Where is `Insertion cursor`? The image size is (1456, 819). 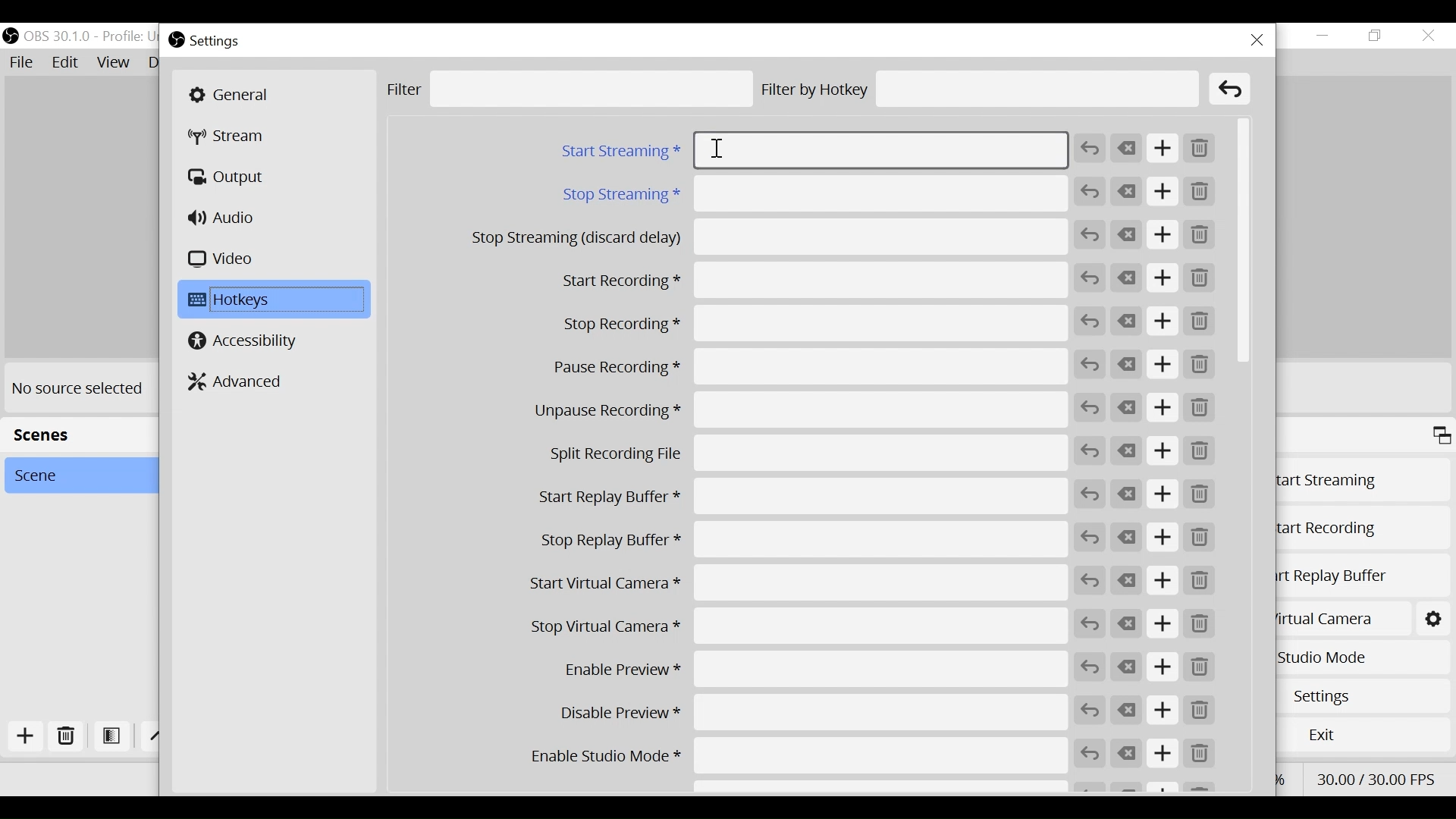
Insertion cursor is located at coordinates (717, 149).